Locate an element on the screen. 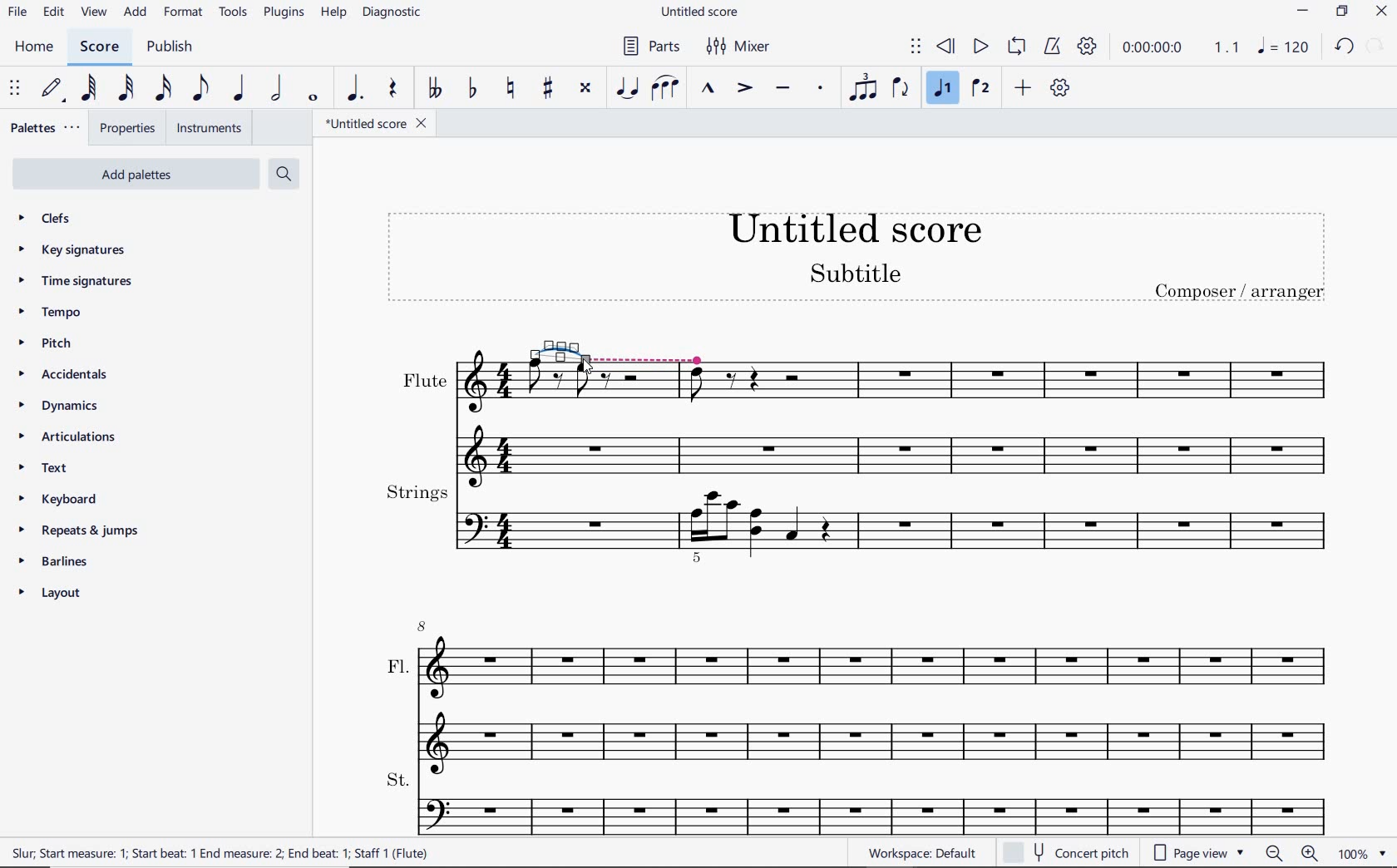 The height and width of the screenshot is (868, 1397). search palettes is located at coordinates (285, 174).